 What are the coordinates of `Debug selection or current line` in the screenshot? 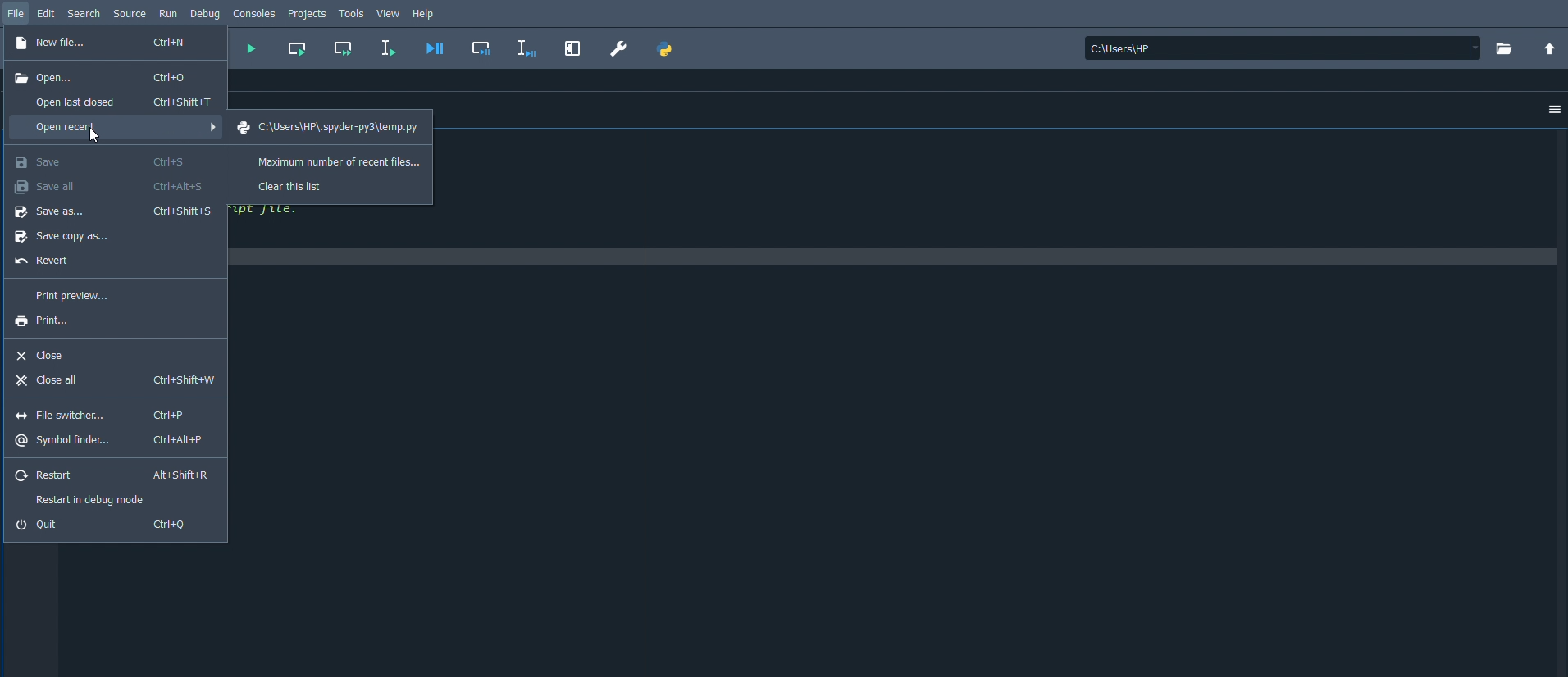 It's located at (526, 48).